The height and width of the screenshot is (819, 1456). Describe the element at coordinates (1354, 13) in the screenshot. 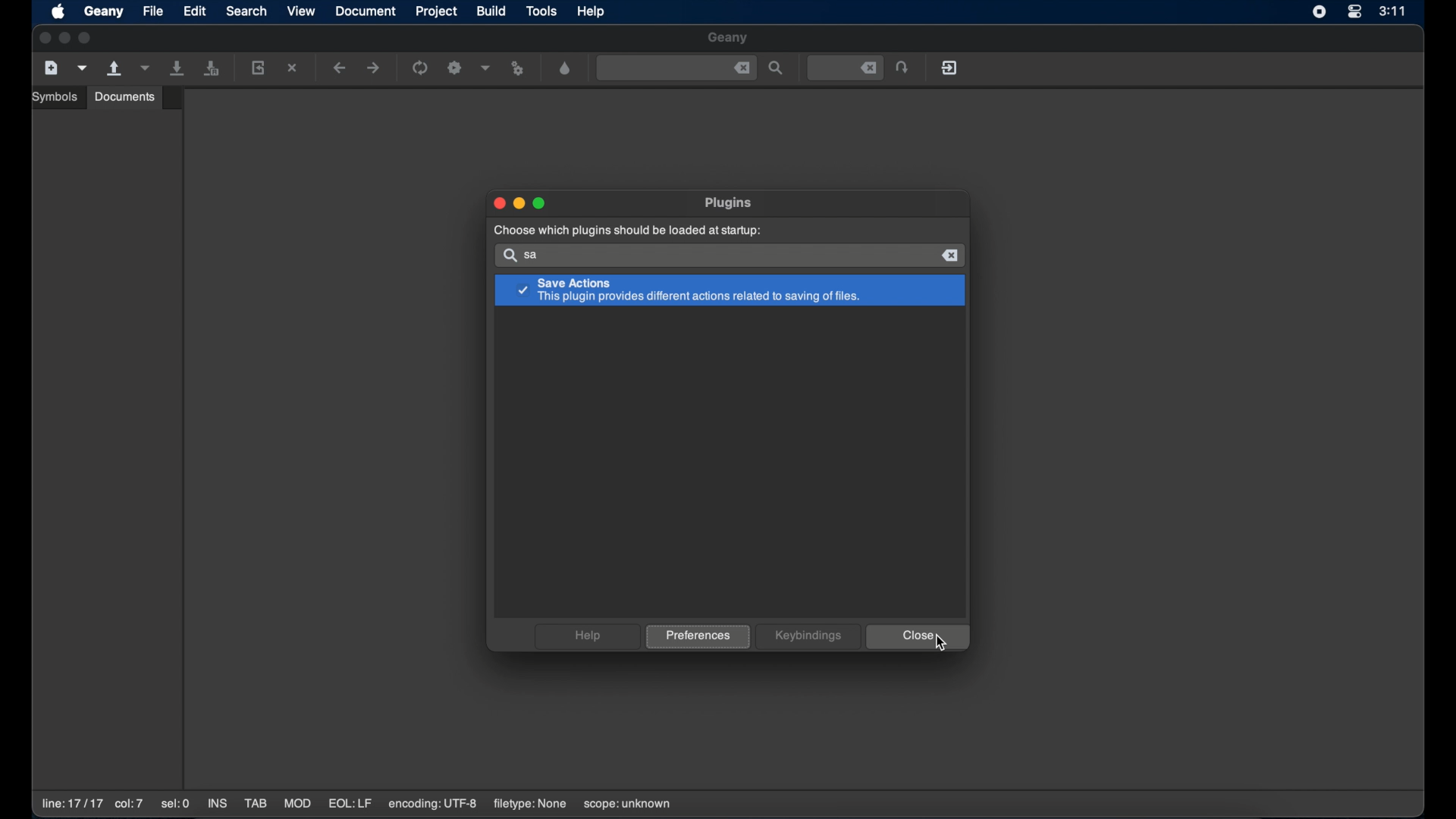

I see `control center` at that location.